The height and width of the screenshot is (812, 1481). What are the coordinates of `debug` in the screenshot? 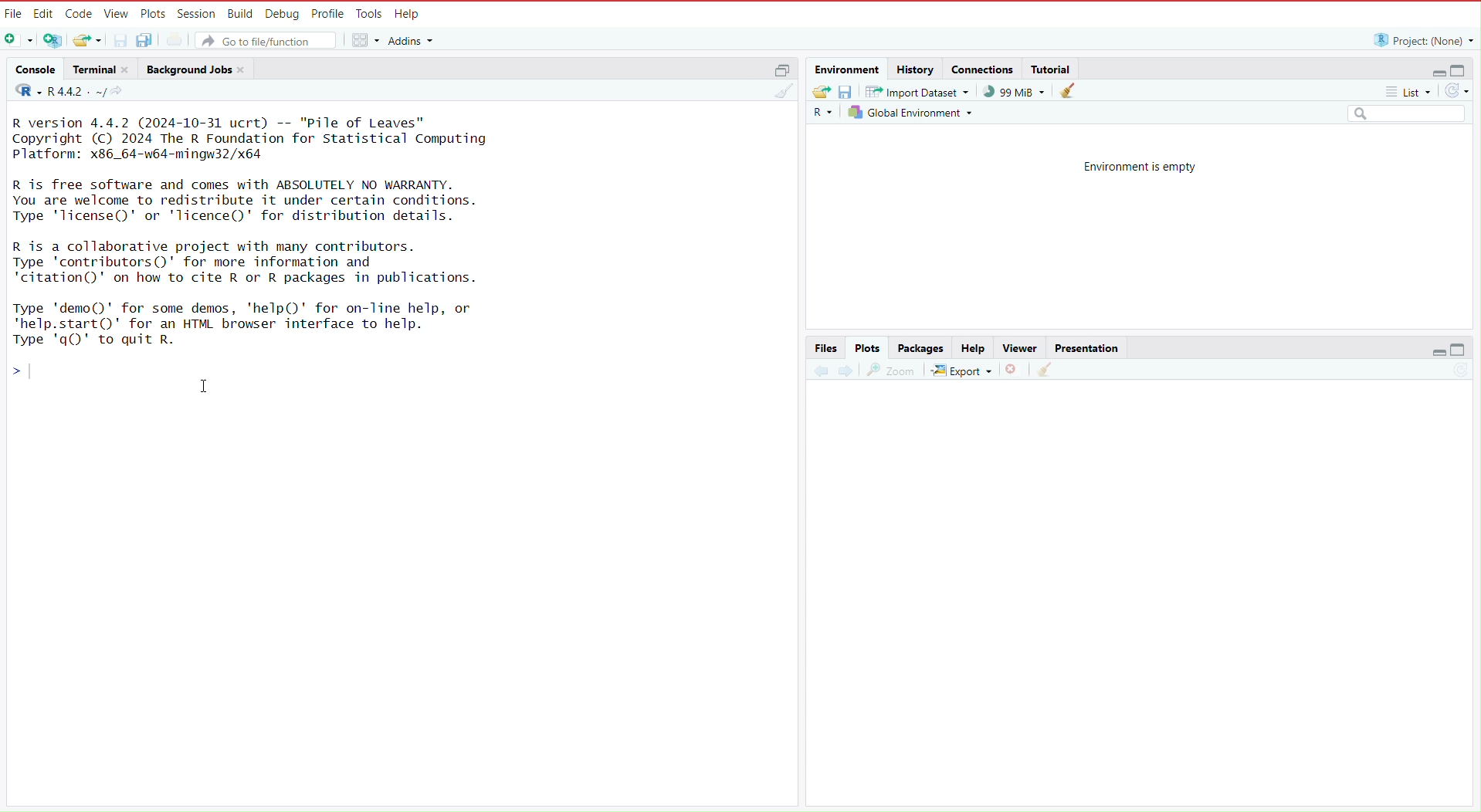 It's located at (281, 12).